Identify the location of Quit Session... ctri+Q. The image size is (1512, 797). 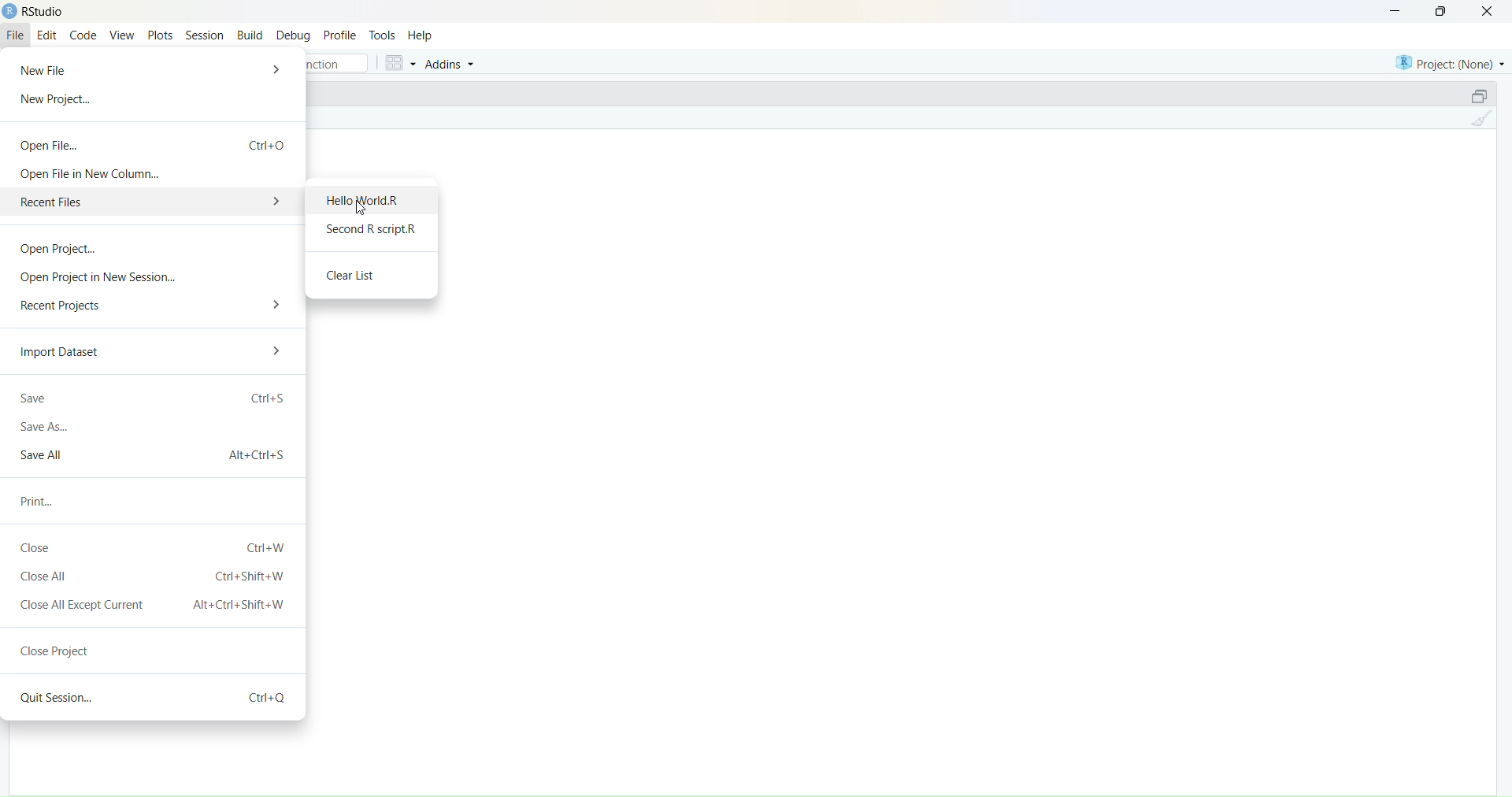
(150, 698).